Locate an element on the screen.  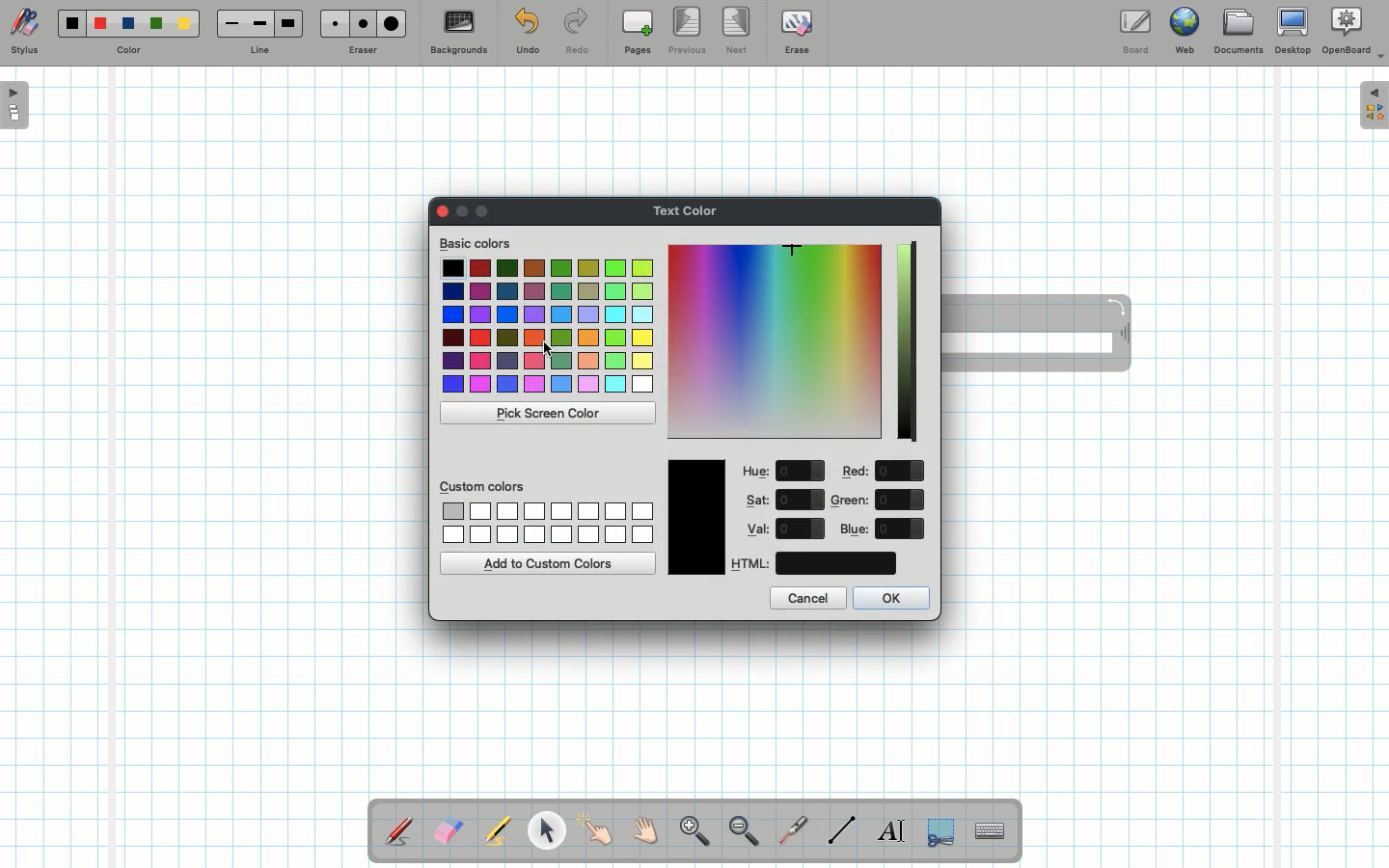
value is located at coordinates (801, 500).